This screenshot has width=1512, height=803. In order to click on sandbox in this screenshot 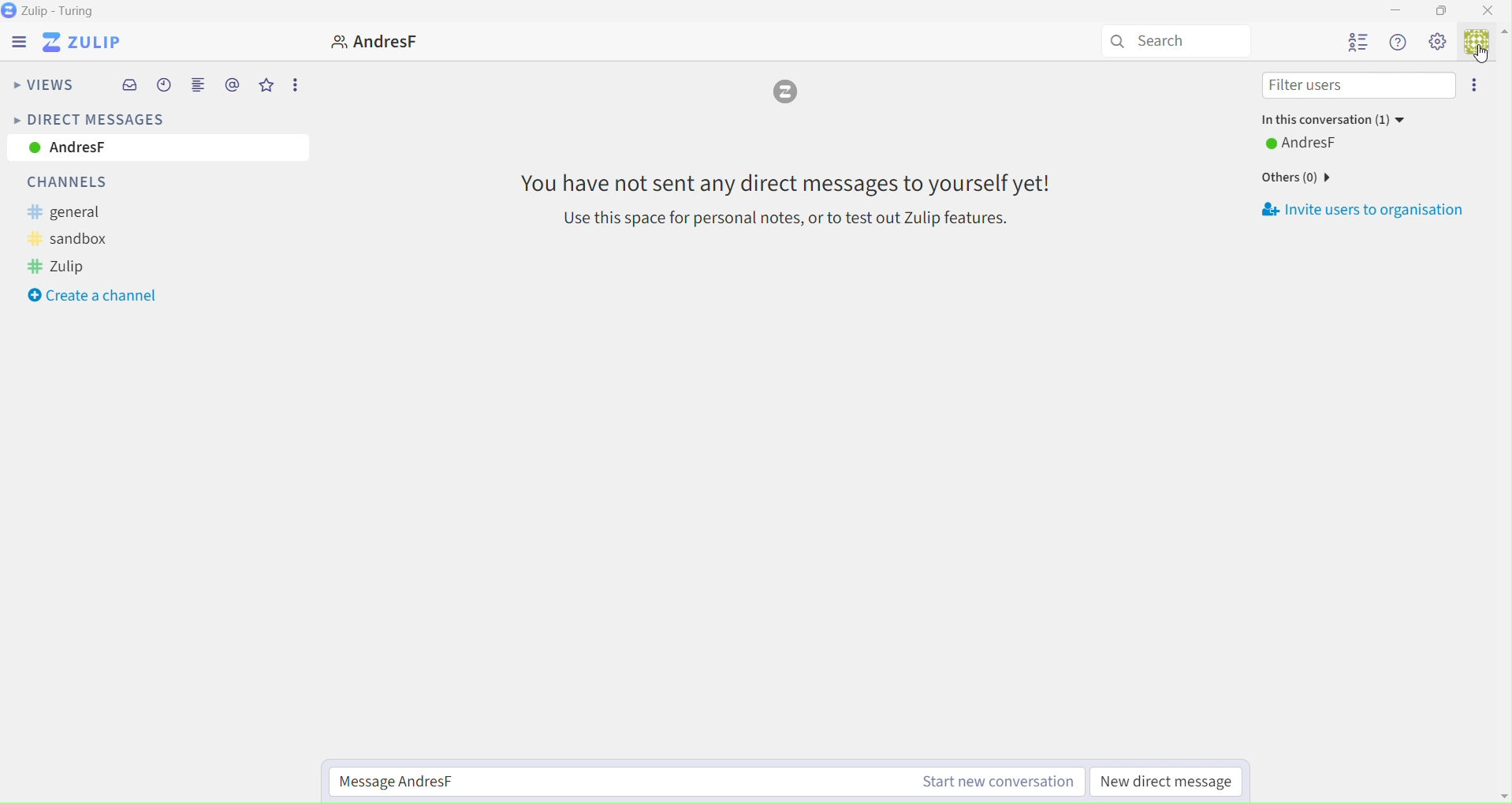, I will do `click(82, 239)`.